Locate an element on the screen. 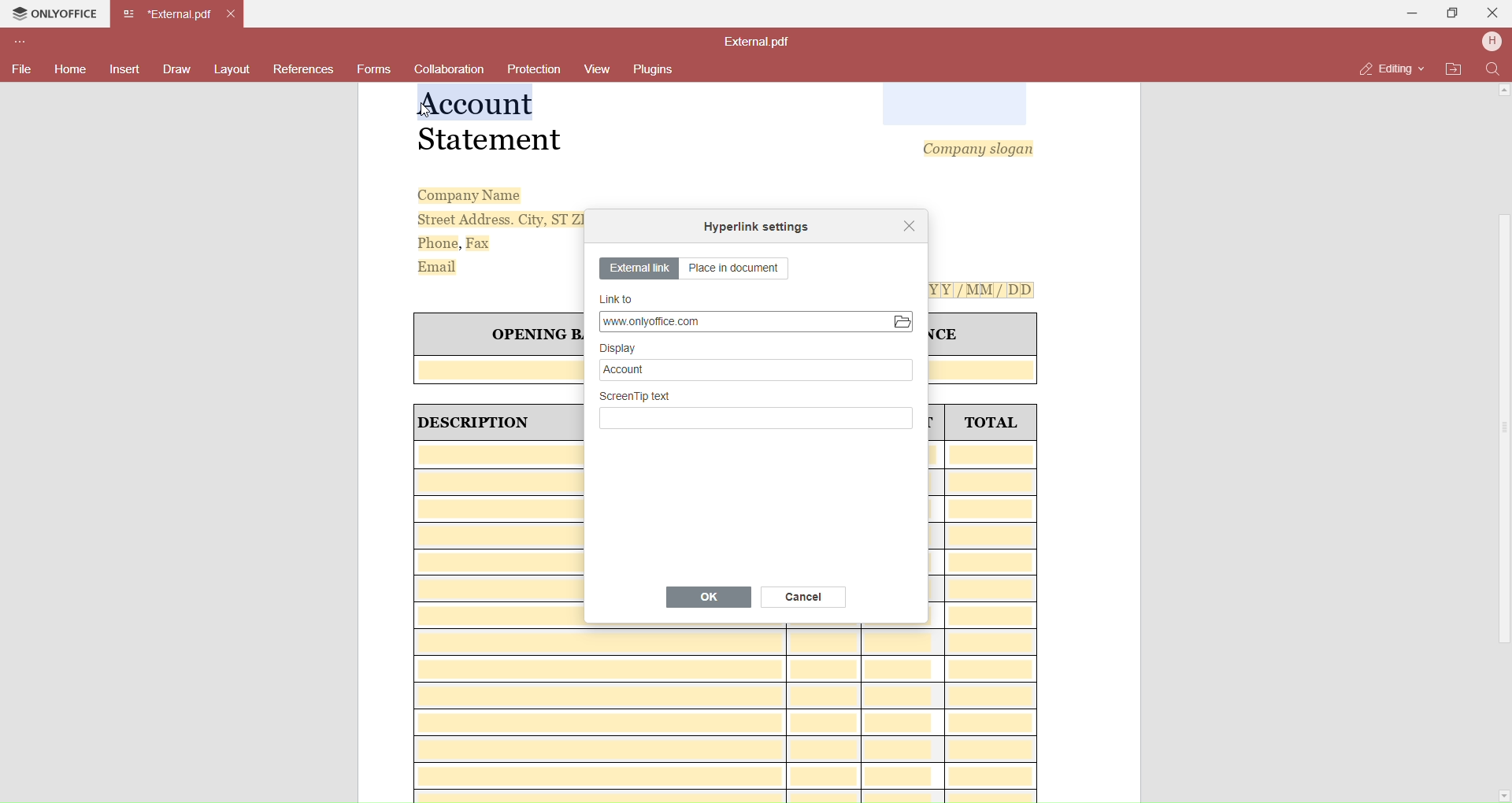 Image resolution: width=1512 pixels, height=803 pixels. Street Address. City, ST ZI is located at coordinates (501, 220).